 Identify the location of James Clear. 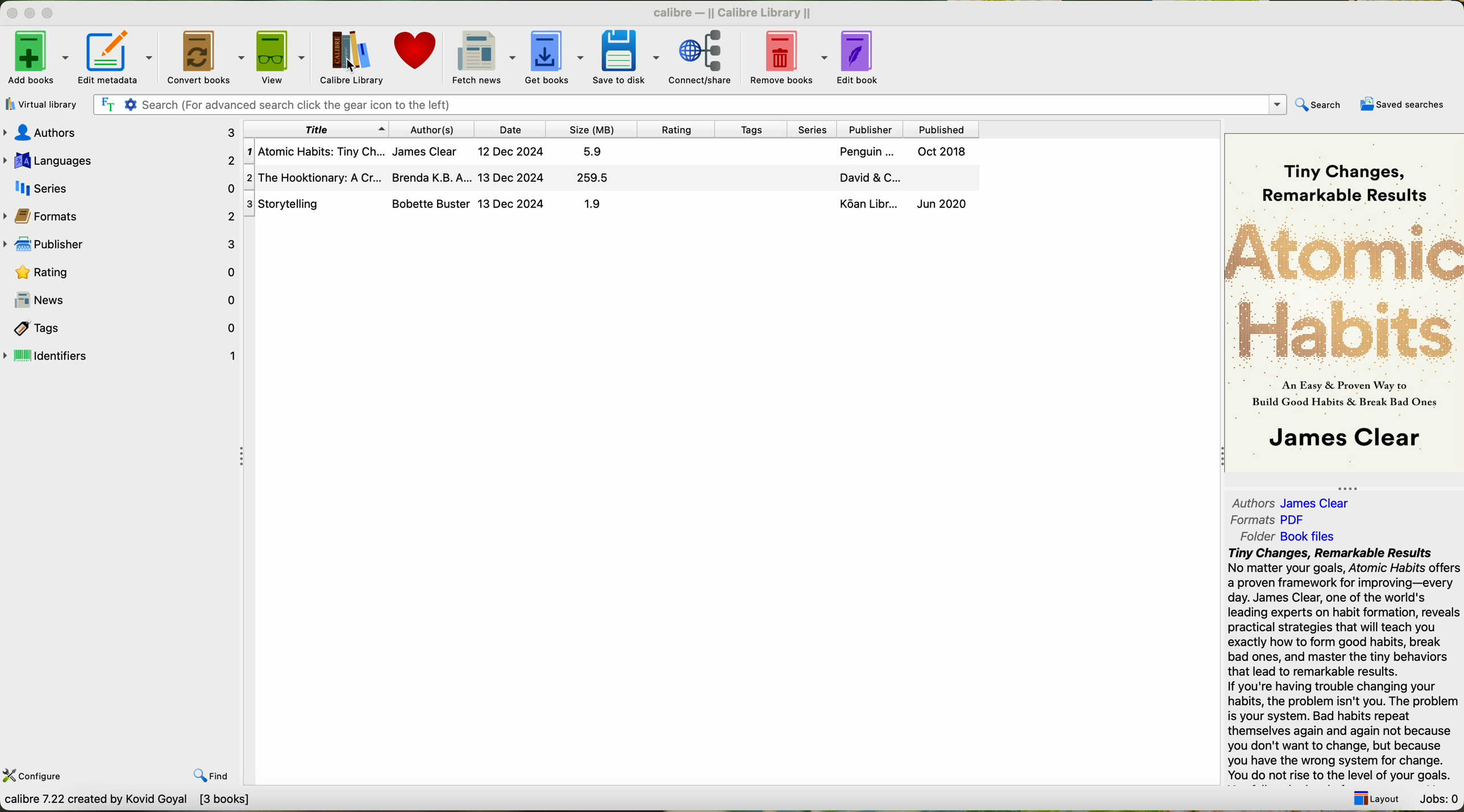
(1341, 440).